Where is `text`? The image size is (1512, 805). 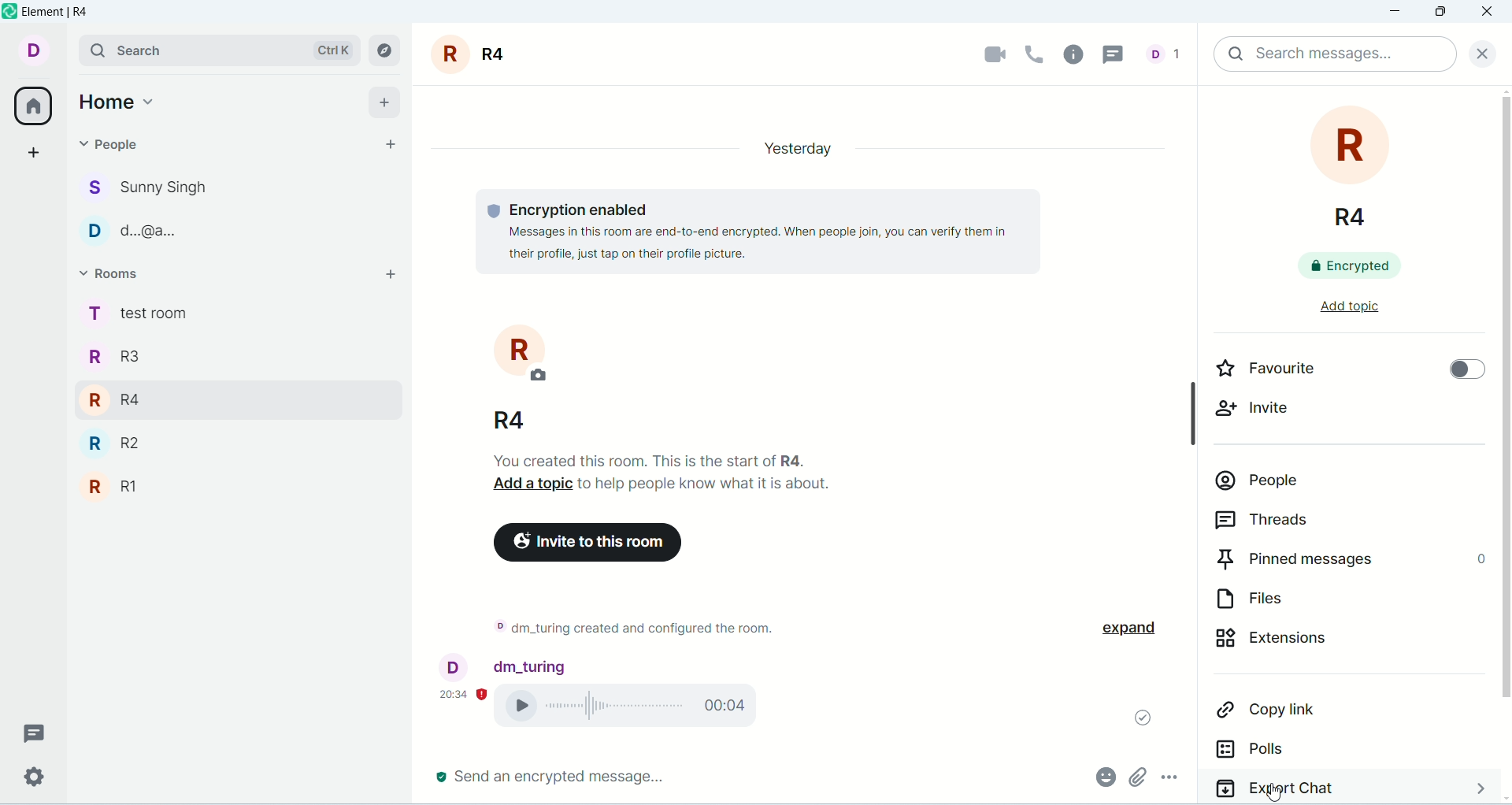
text is located at coordinates (740, 230).